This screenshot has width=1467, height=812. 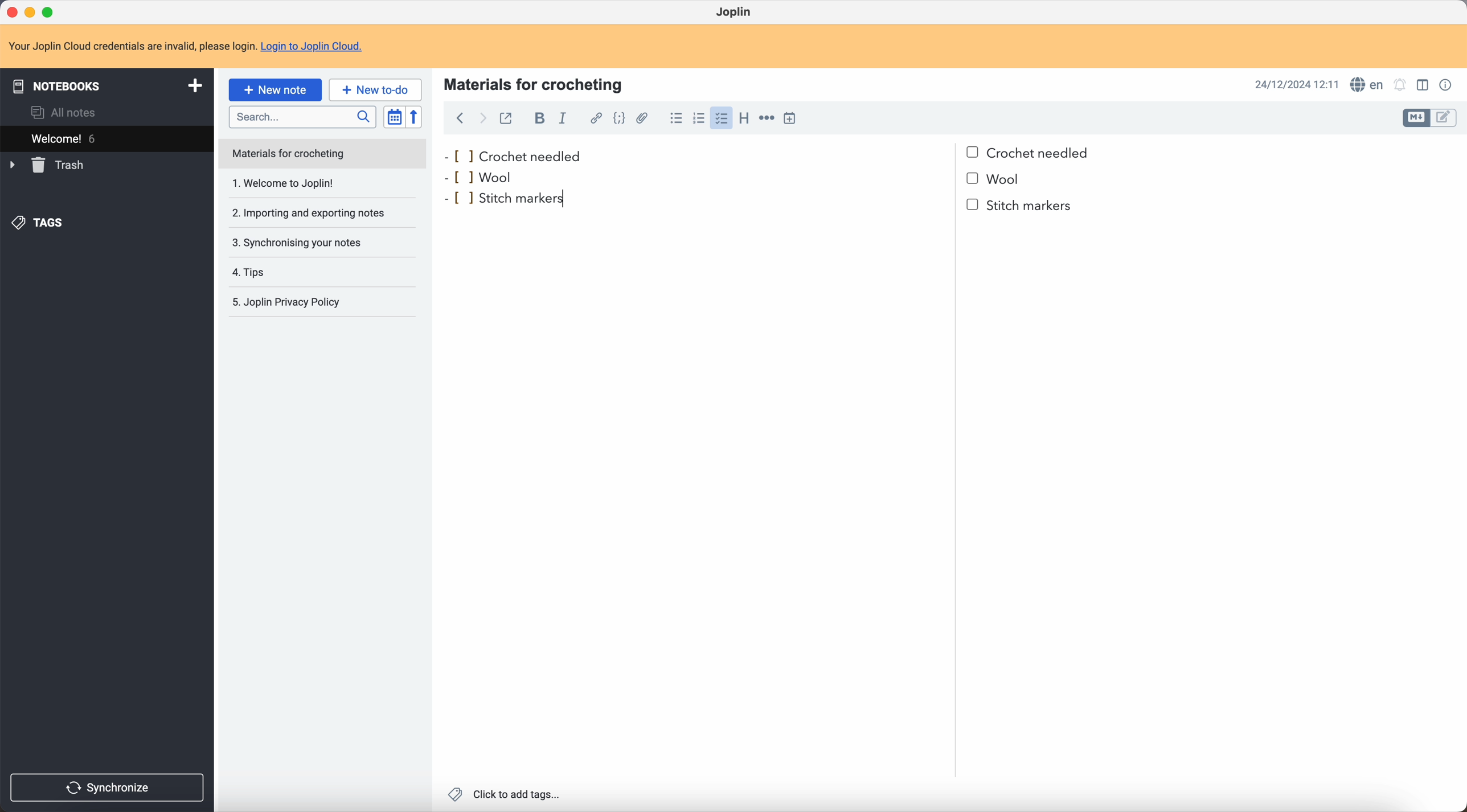 What do you see at coordinates (593, 118) in the screenshot?
I see `hyperlink` at bounding box center [593, 118].